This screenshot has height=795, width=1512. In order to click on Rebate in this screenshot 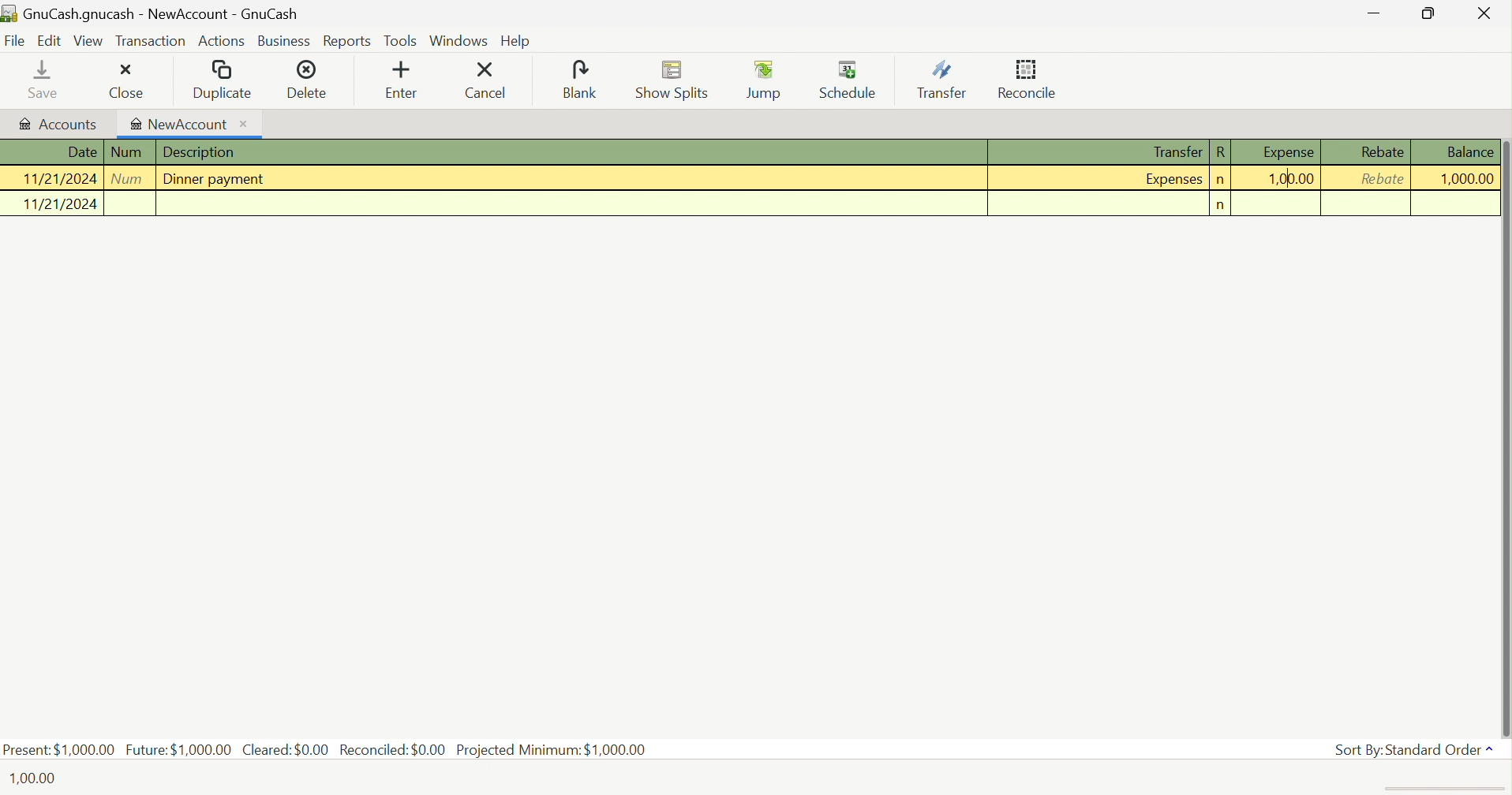, I will do `click(1382, 177)`.